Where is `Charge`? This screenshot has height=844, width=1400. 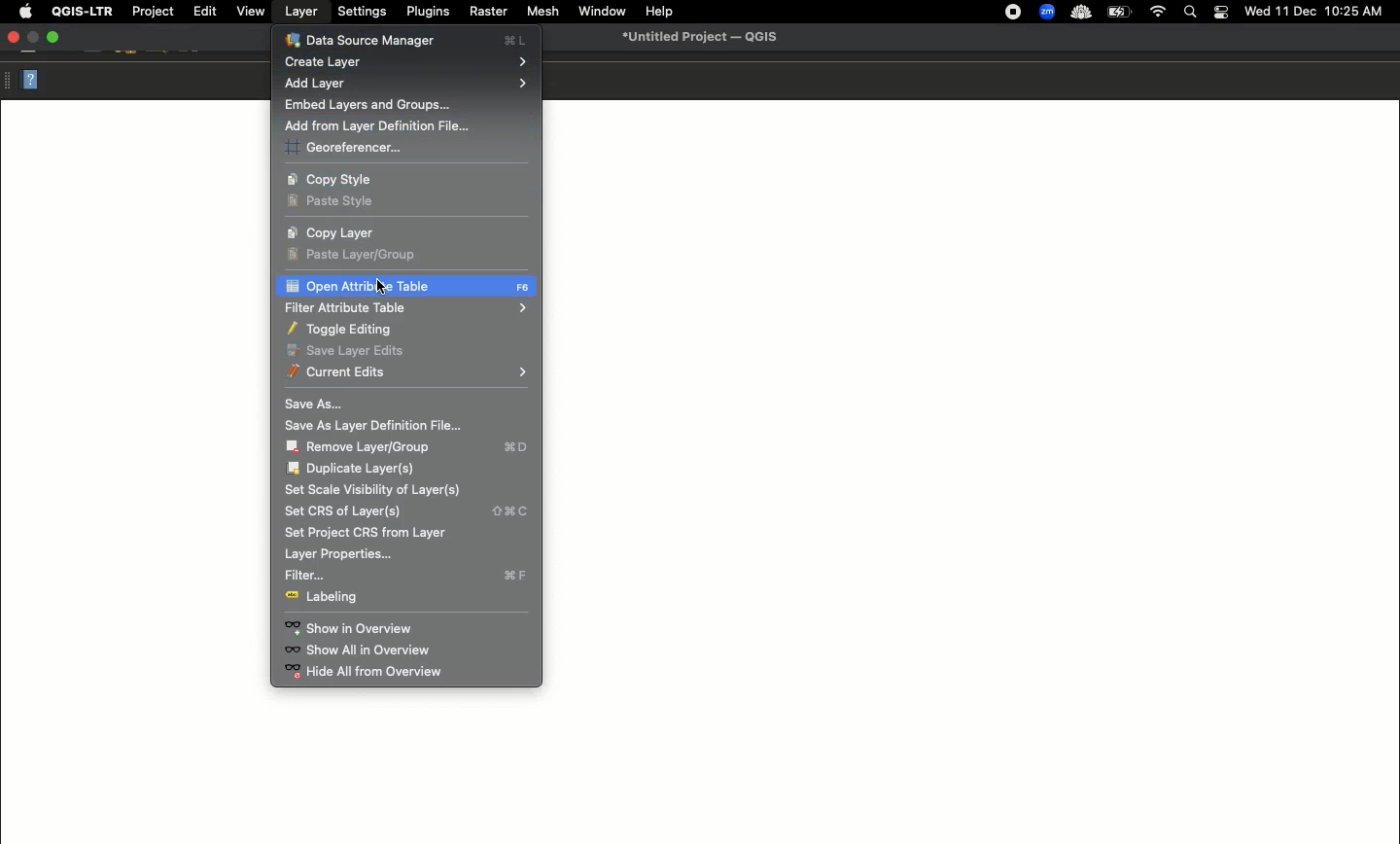
Charge is located at coordinates (1118, 13).